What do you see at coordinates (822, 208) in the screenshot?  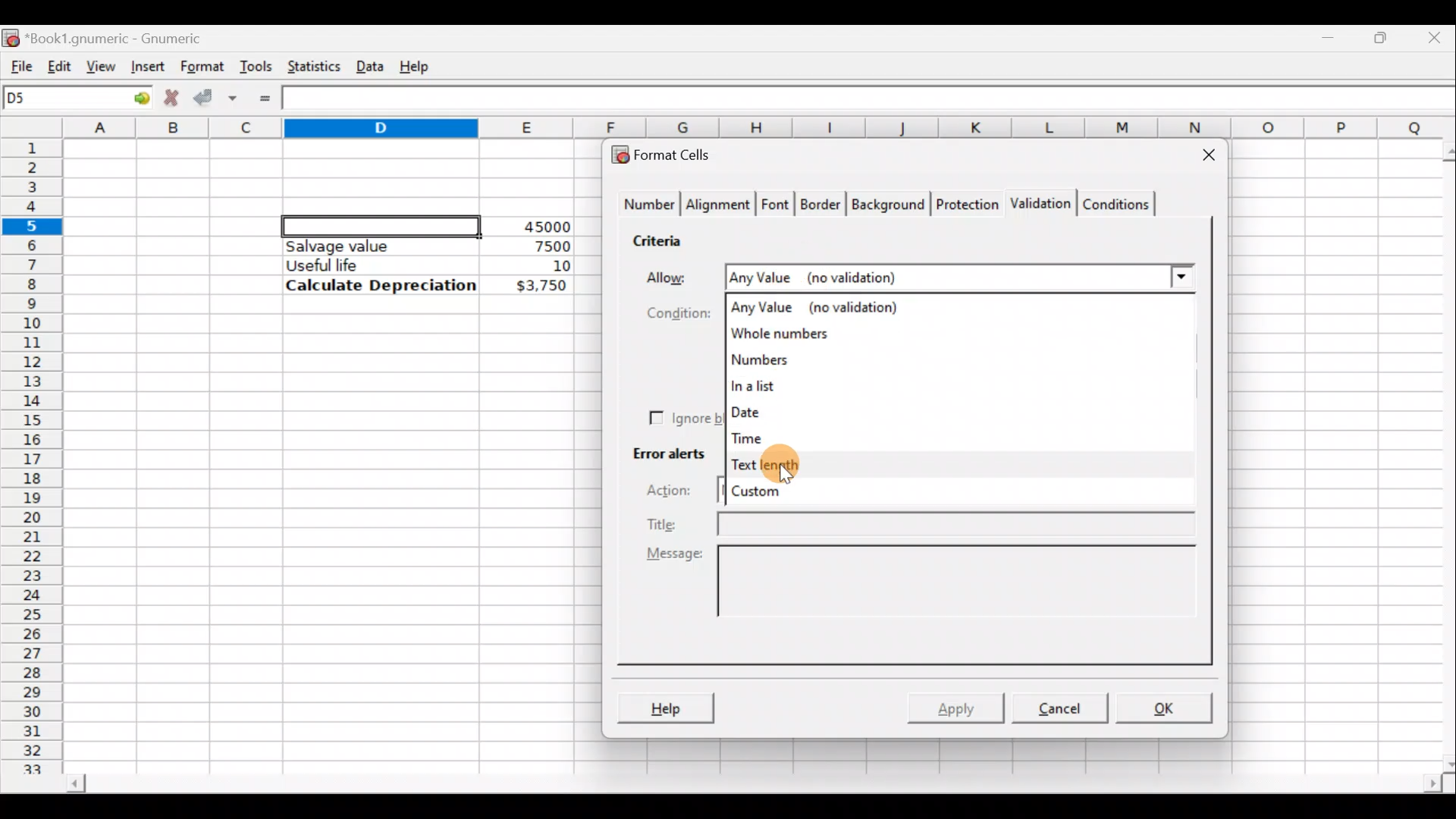 I see `Border` at bounding box center [822, 208].